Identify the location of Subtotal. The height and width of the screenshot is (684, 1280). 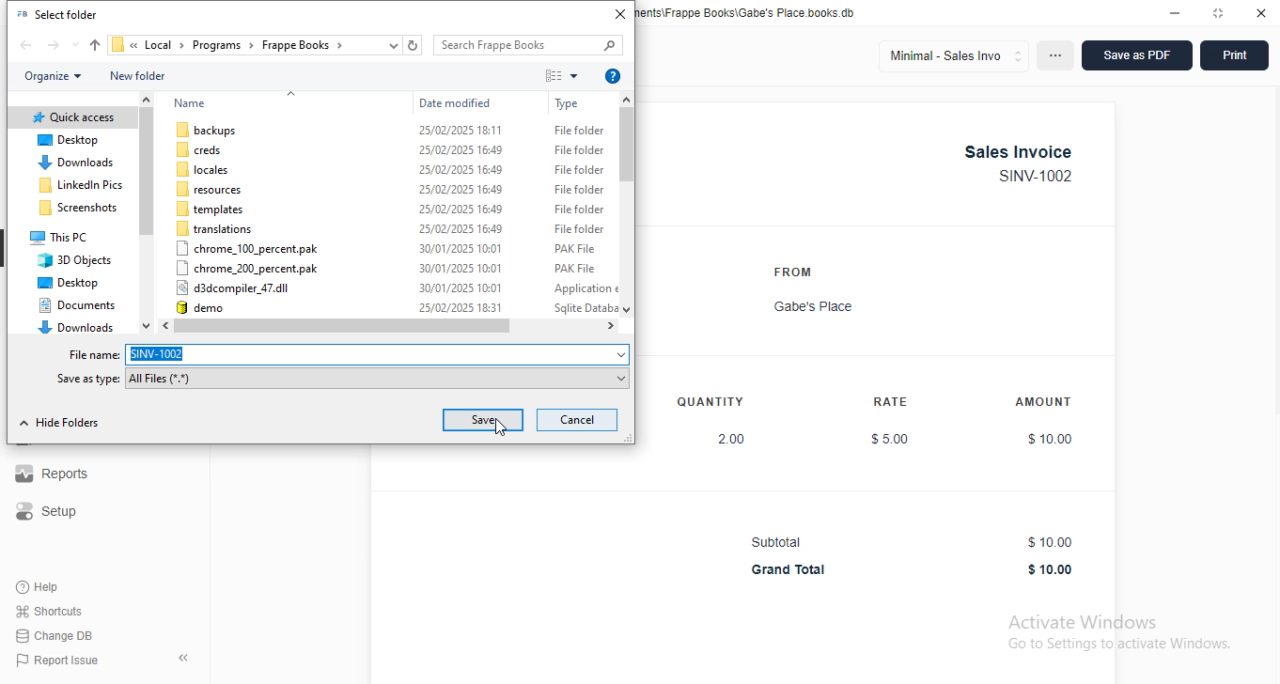
(776, 542).